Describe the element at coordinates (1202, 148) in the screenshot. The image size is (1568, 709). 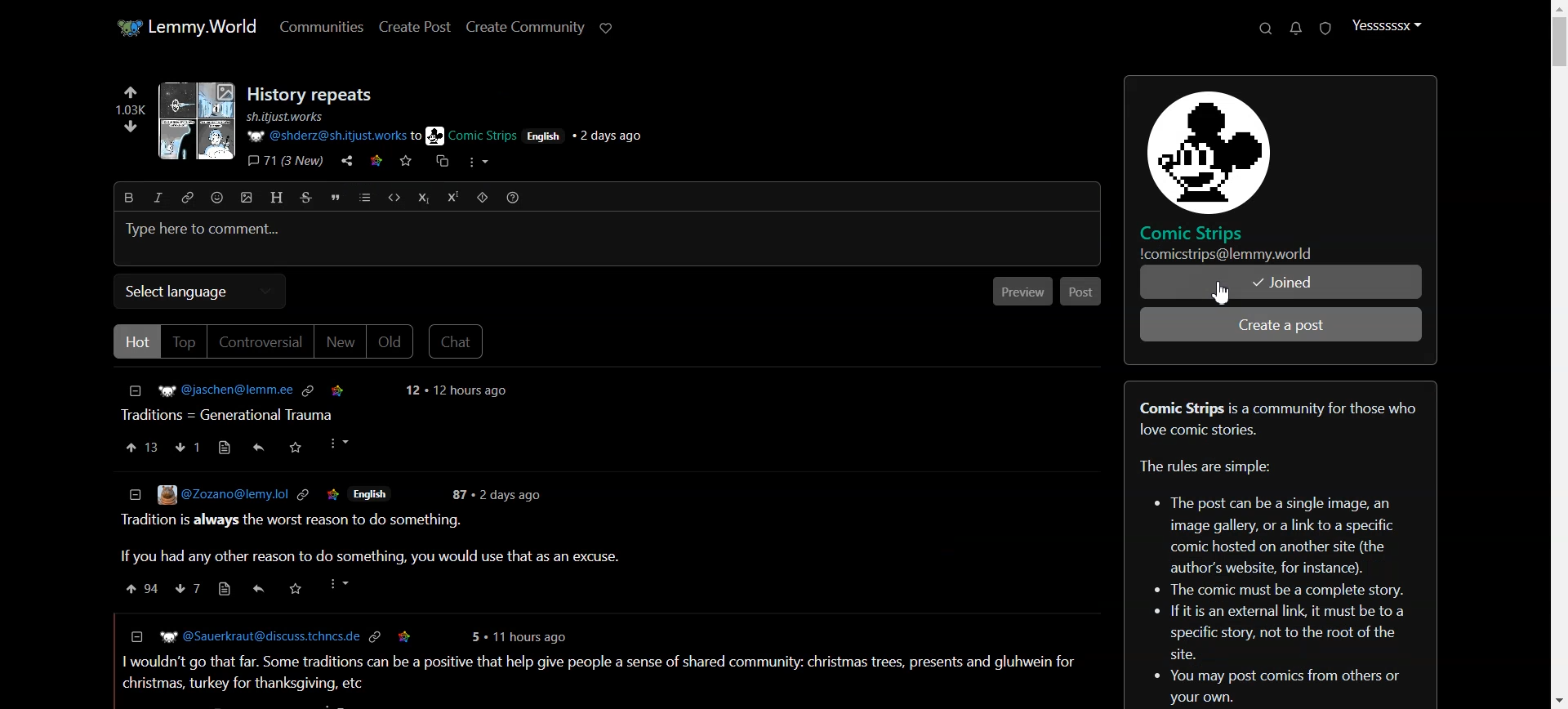
I see `Community logo` at that location.